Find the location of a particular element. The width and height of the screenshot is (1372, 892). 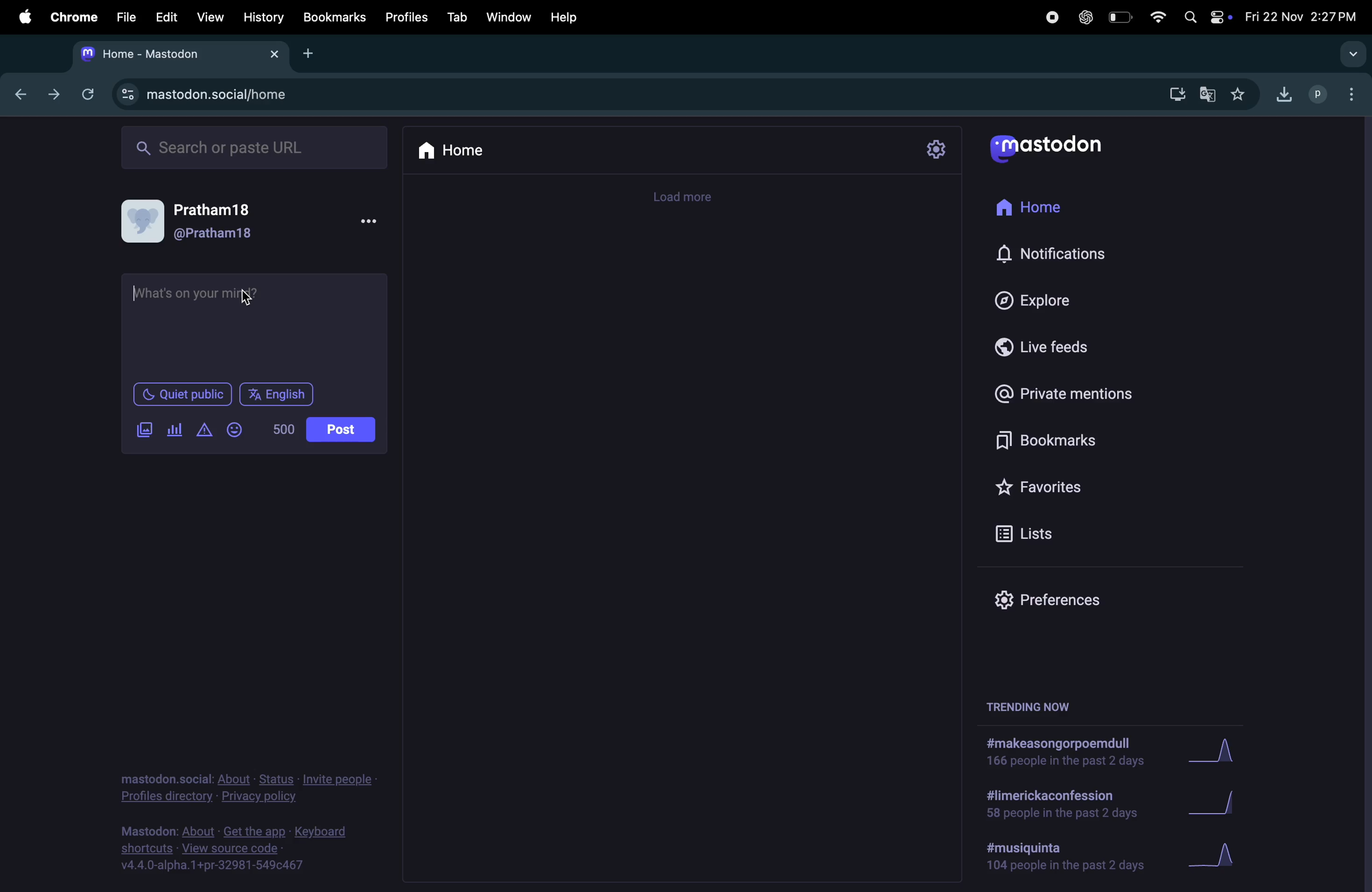

chatgpt is located at coordinates (1088, 17).